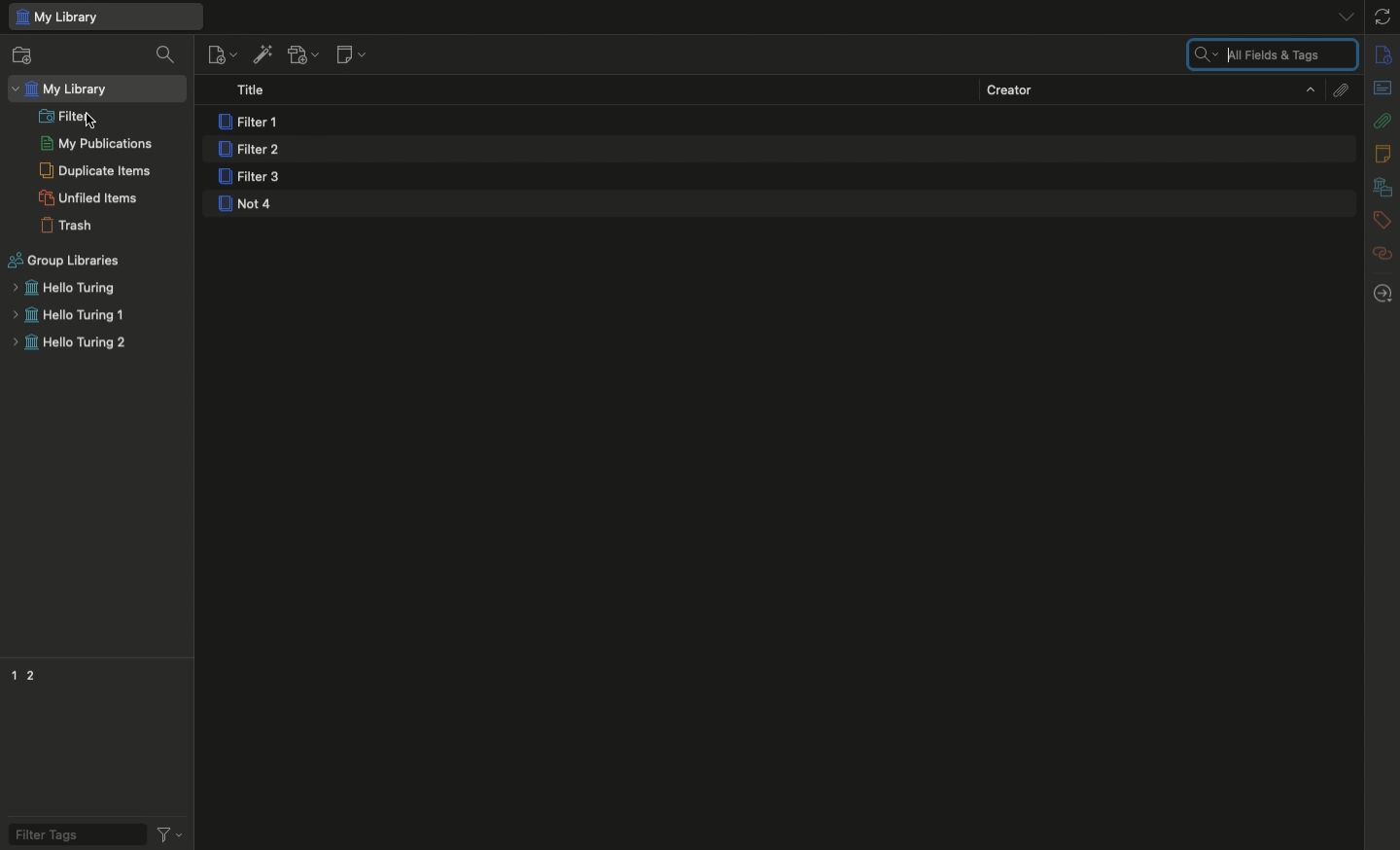 The image size is (1400, 850). Describe the element at coordinates (31, 673) in the screenshot. I see `Tag 2` at that location.